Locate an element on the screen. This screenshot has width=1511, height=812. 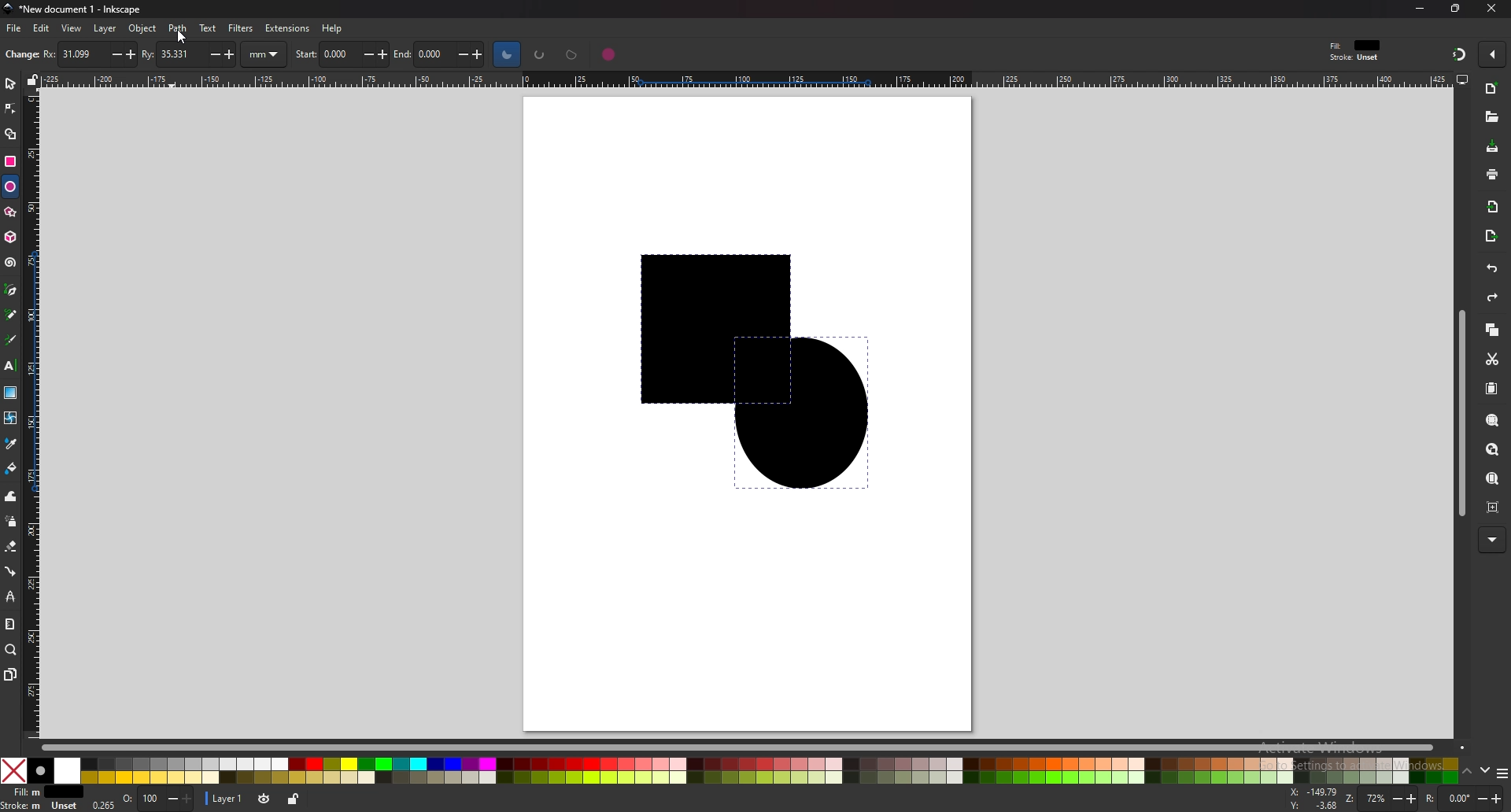
new is located at coordinates (1492, 89).